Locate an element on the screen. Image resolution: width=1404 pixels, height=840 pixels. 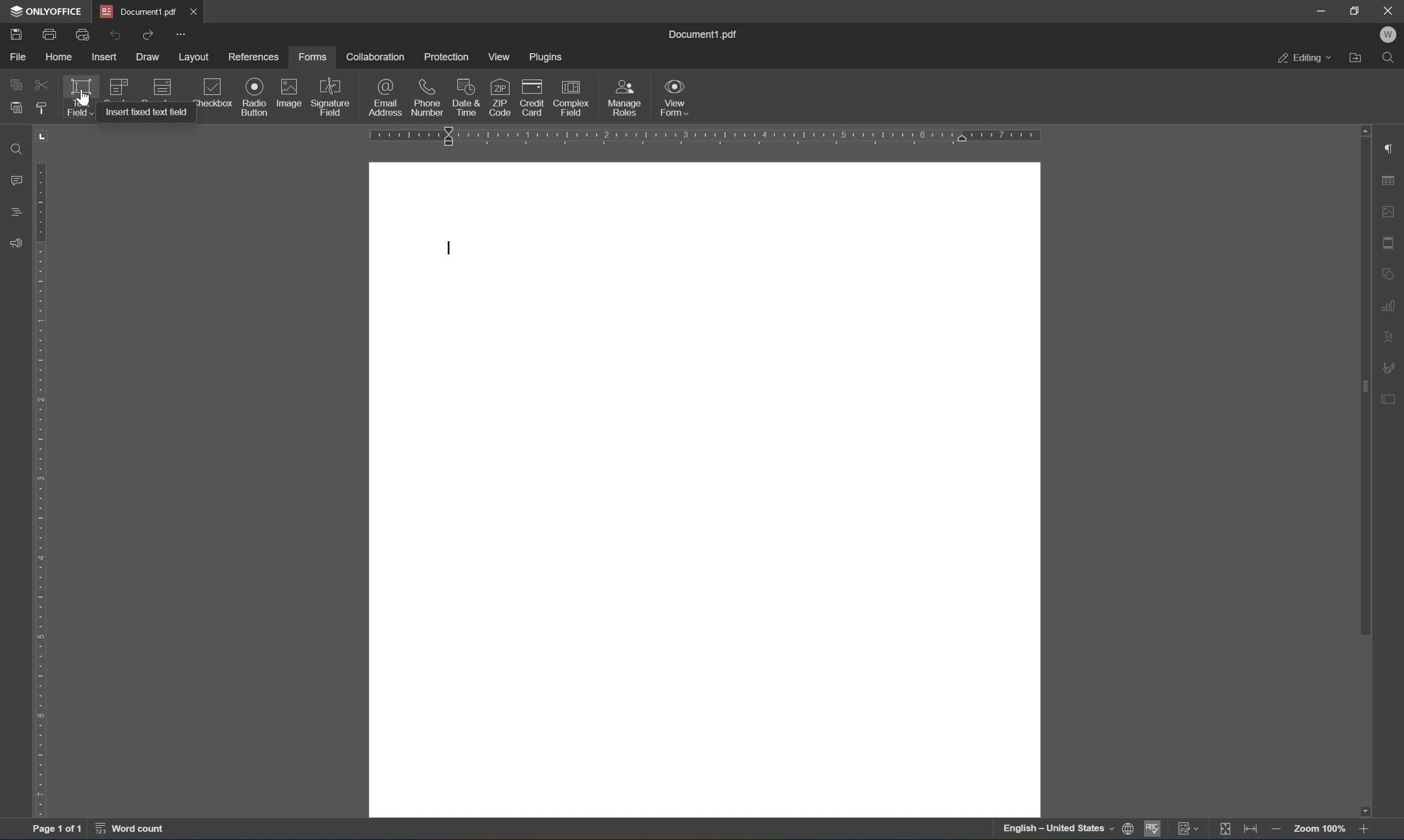
restore down is located at coordinates (1356, 10).